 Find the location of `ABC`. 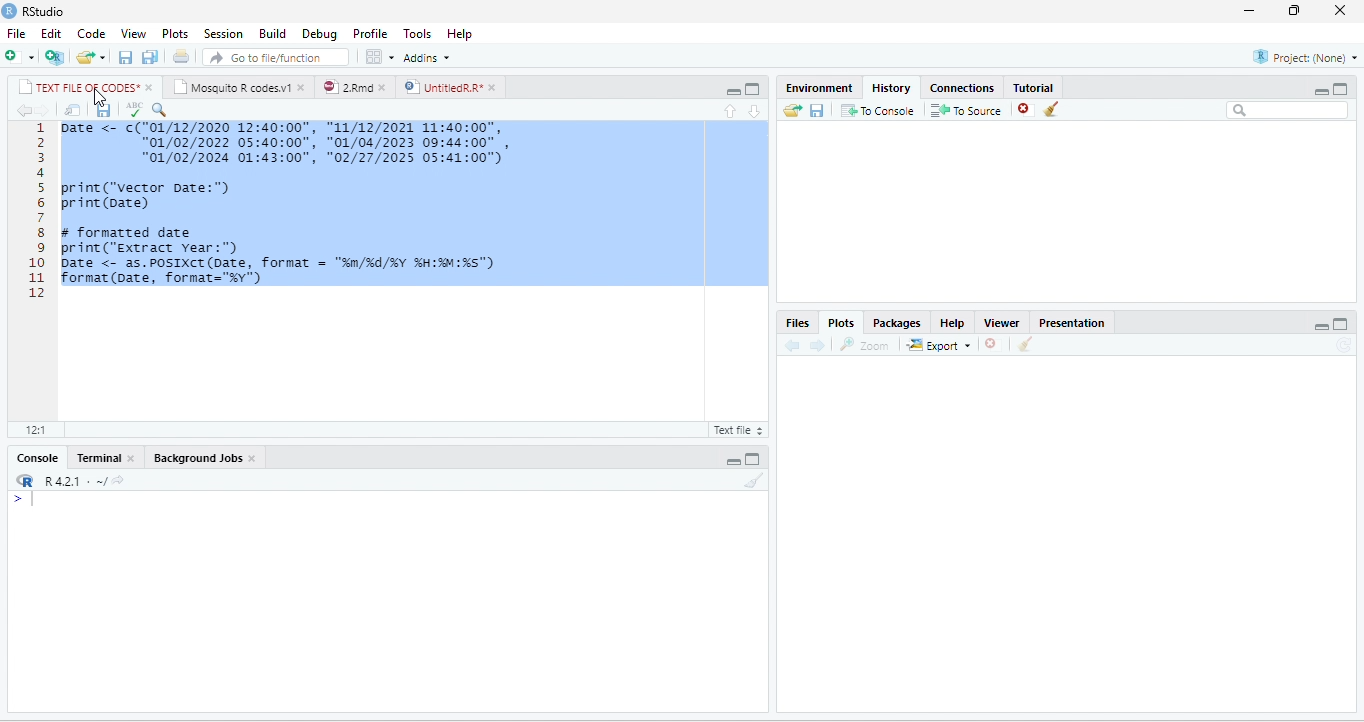

ABC is located at coordinates (135, 109).